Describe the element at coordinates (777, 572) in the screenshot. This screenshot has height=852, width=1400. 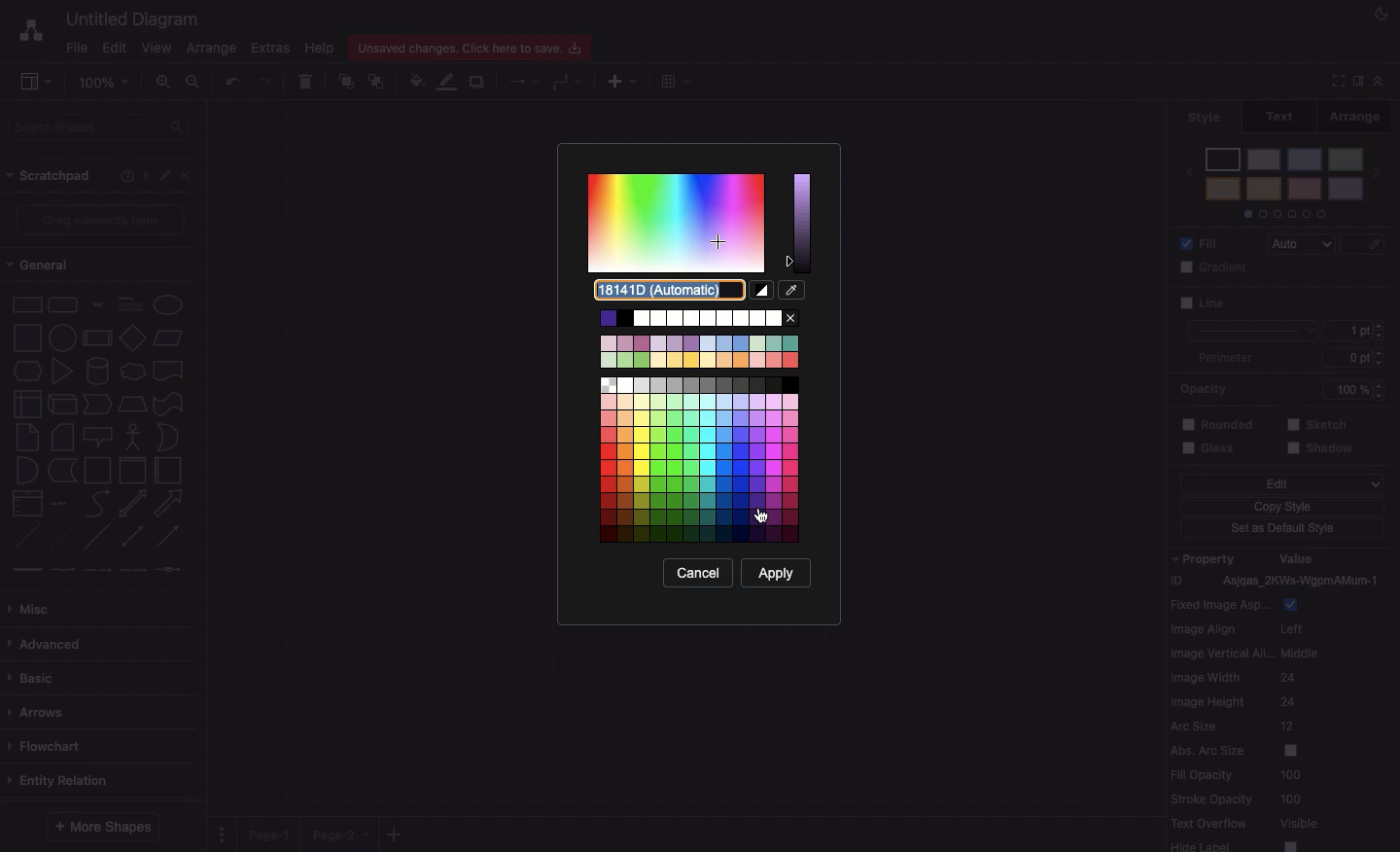
I see `Apply` at that location.